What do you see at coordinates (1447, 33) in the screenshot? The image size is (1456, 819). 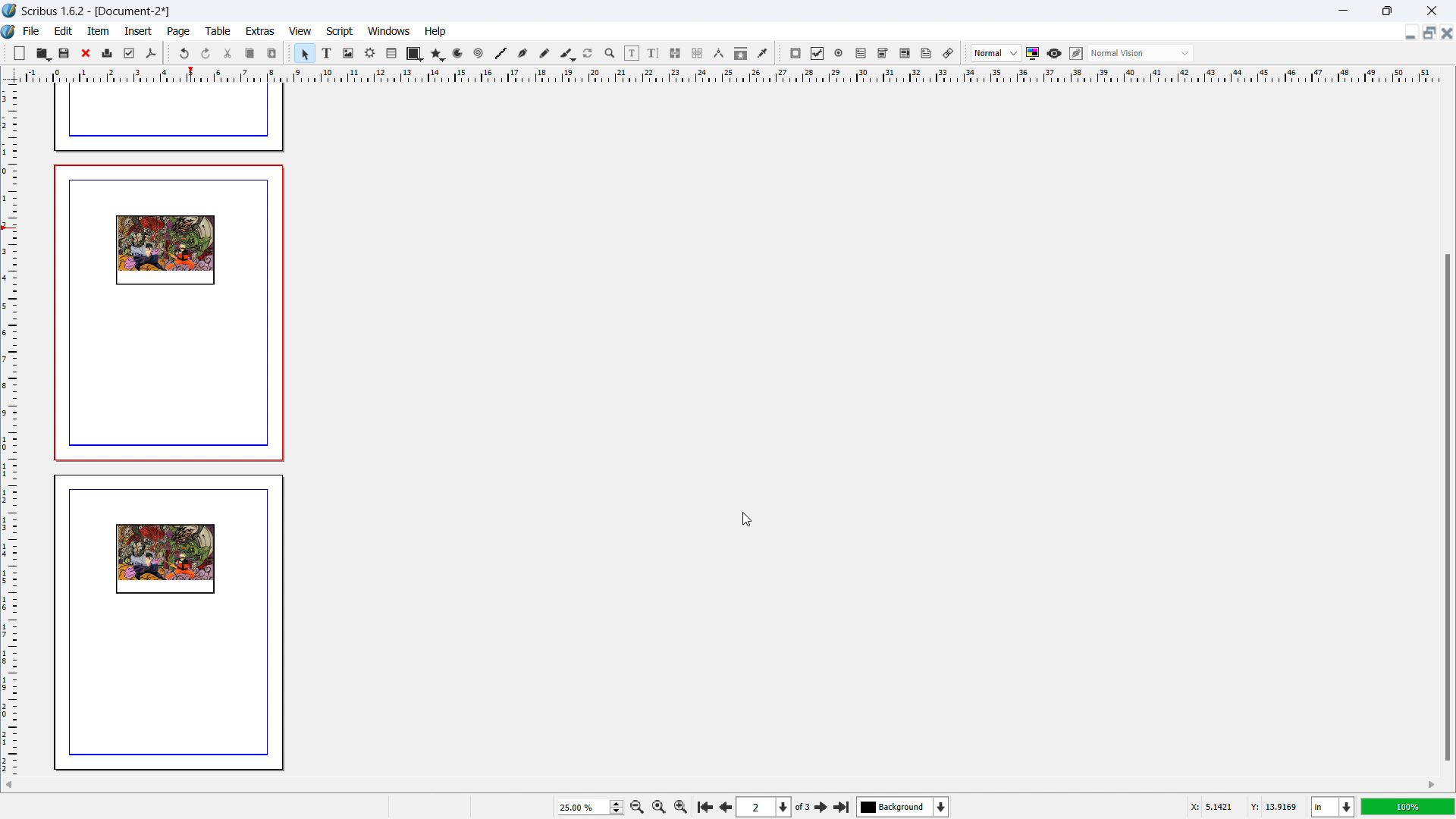 I see `close document` at bounding box center [1447, 33].